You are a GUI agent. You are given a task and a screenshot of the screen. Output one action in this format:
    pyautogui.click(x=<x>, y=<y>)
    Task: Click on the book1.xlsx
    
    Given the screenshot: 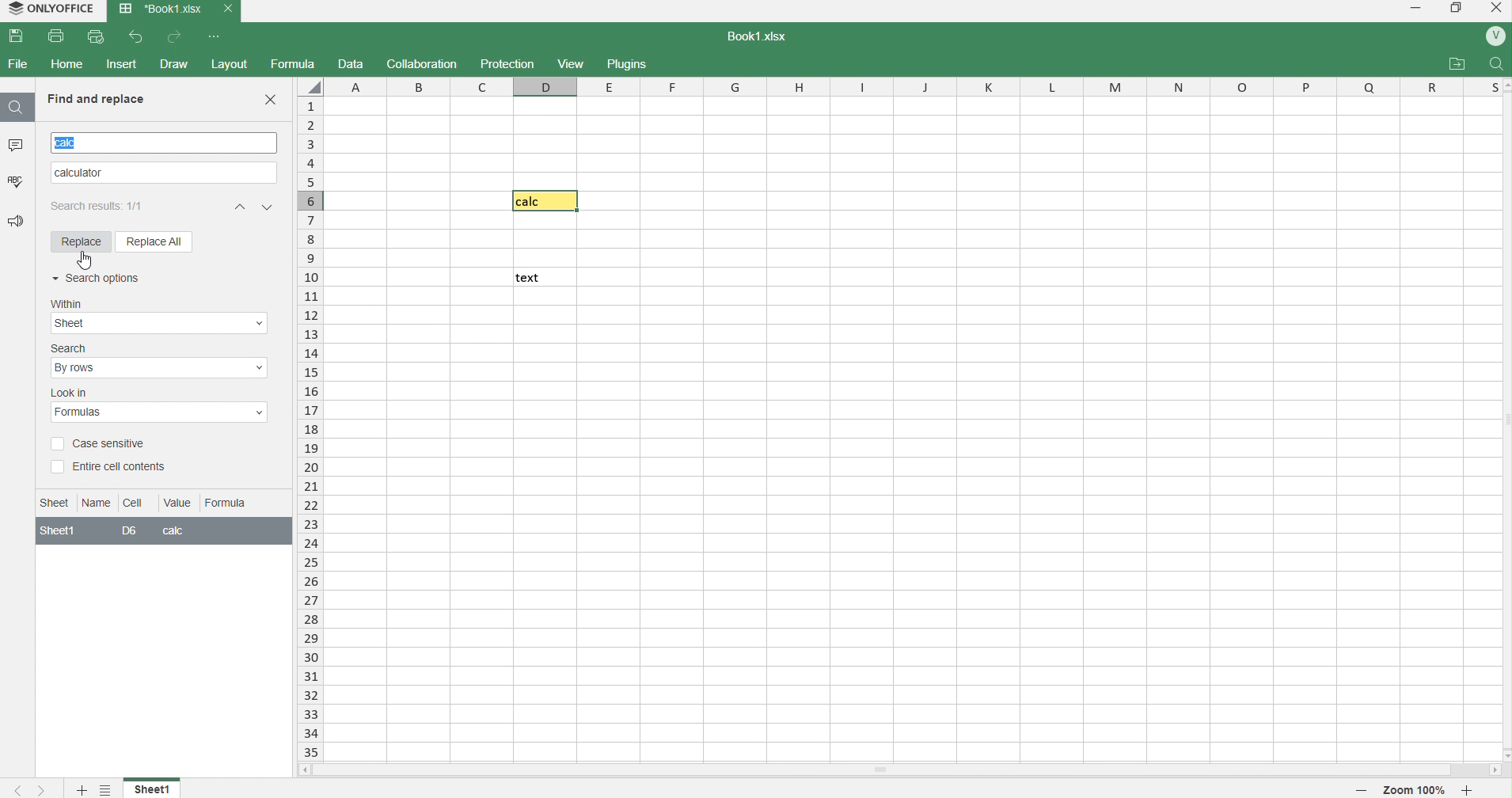 What is the action you would take?
    pyautogui.click(x=158, y=11)
    